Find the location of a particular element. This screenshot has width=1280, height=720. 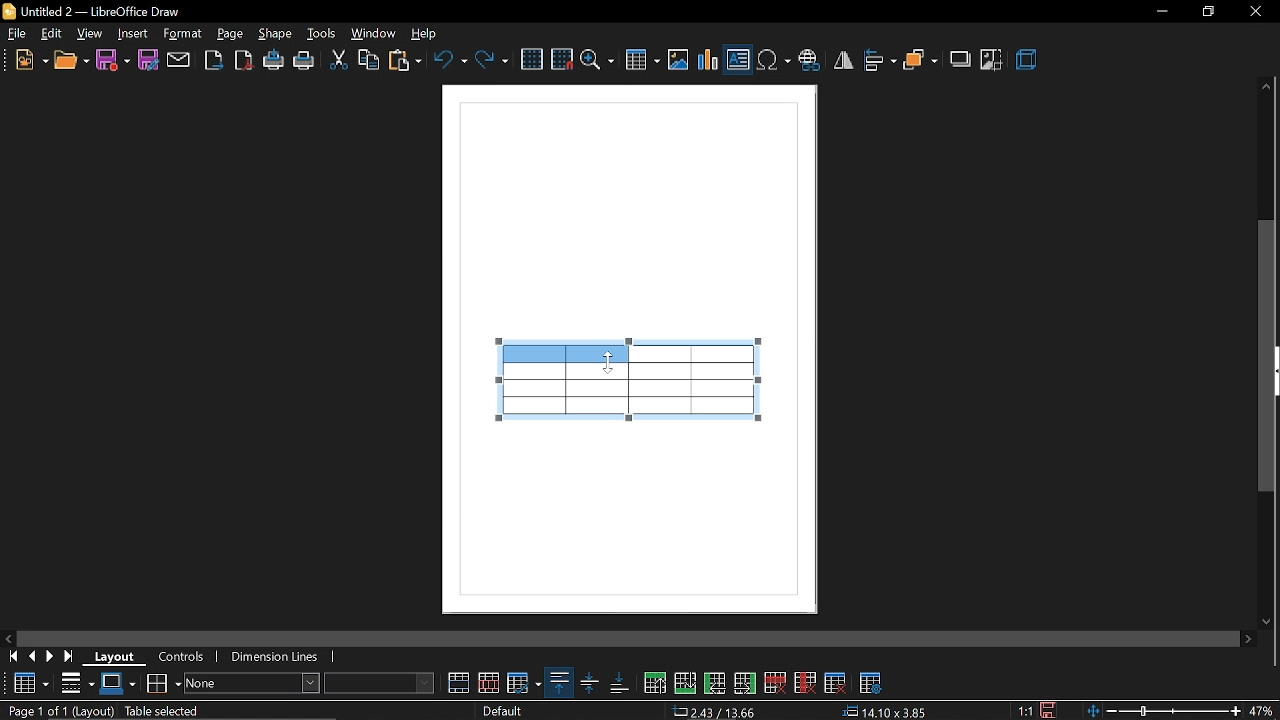

2.43/13.66 is located at coordinates (718, 712).